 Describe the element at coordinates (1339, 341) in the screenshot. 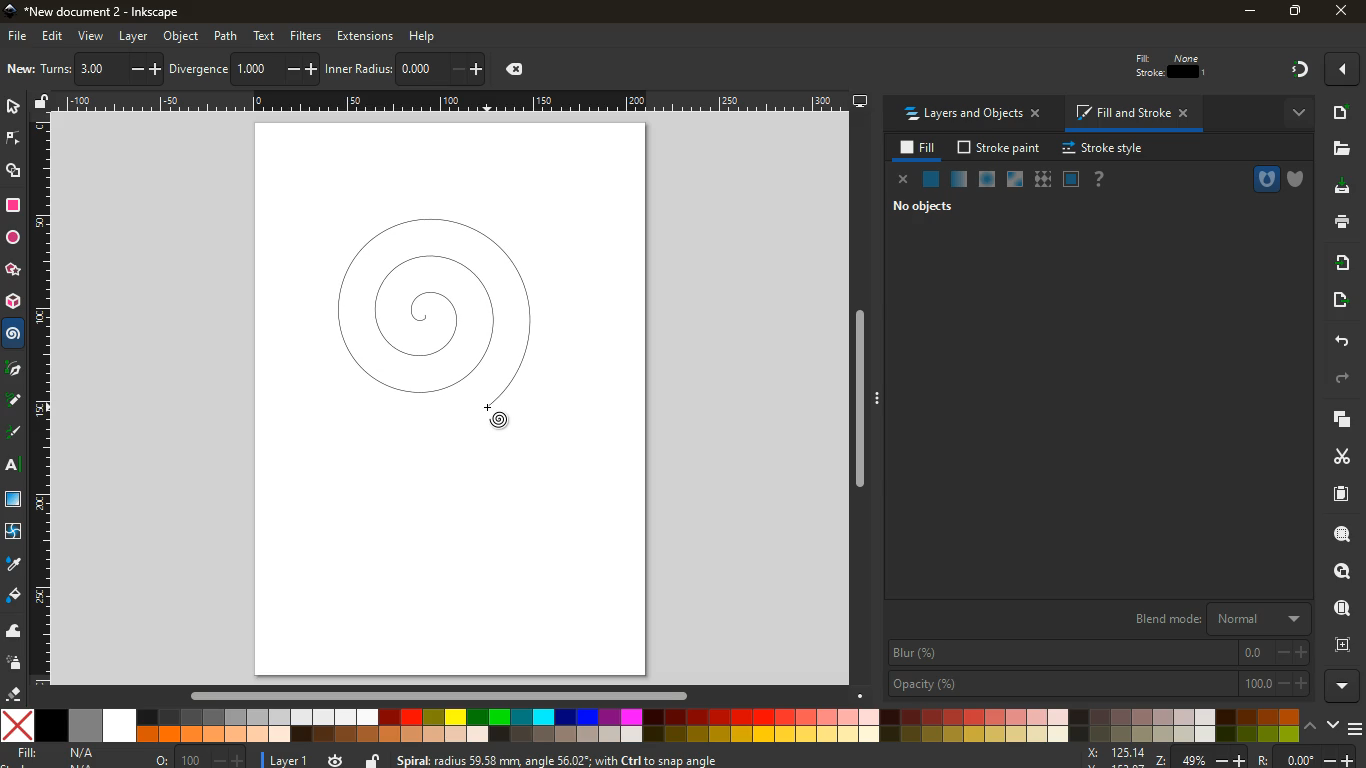

I see `back` at that location.